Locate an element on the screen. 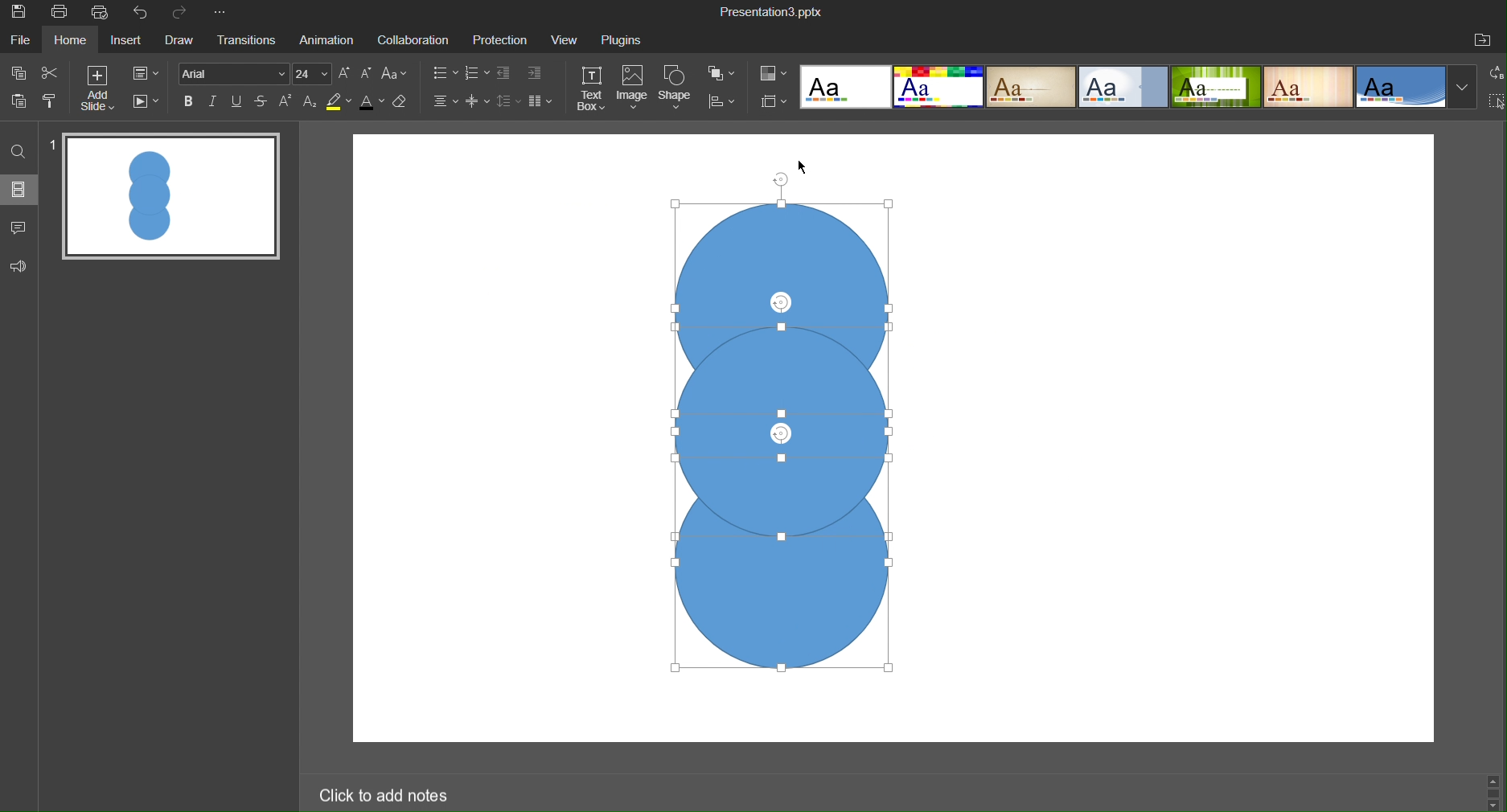  Copy Style is located at coordinates (53, 107).